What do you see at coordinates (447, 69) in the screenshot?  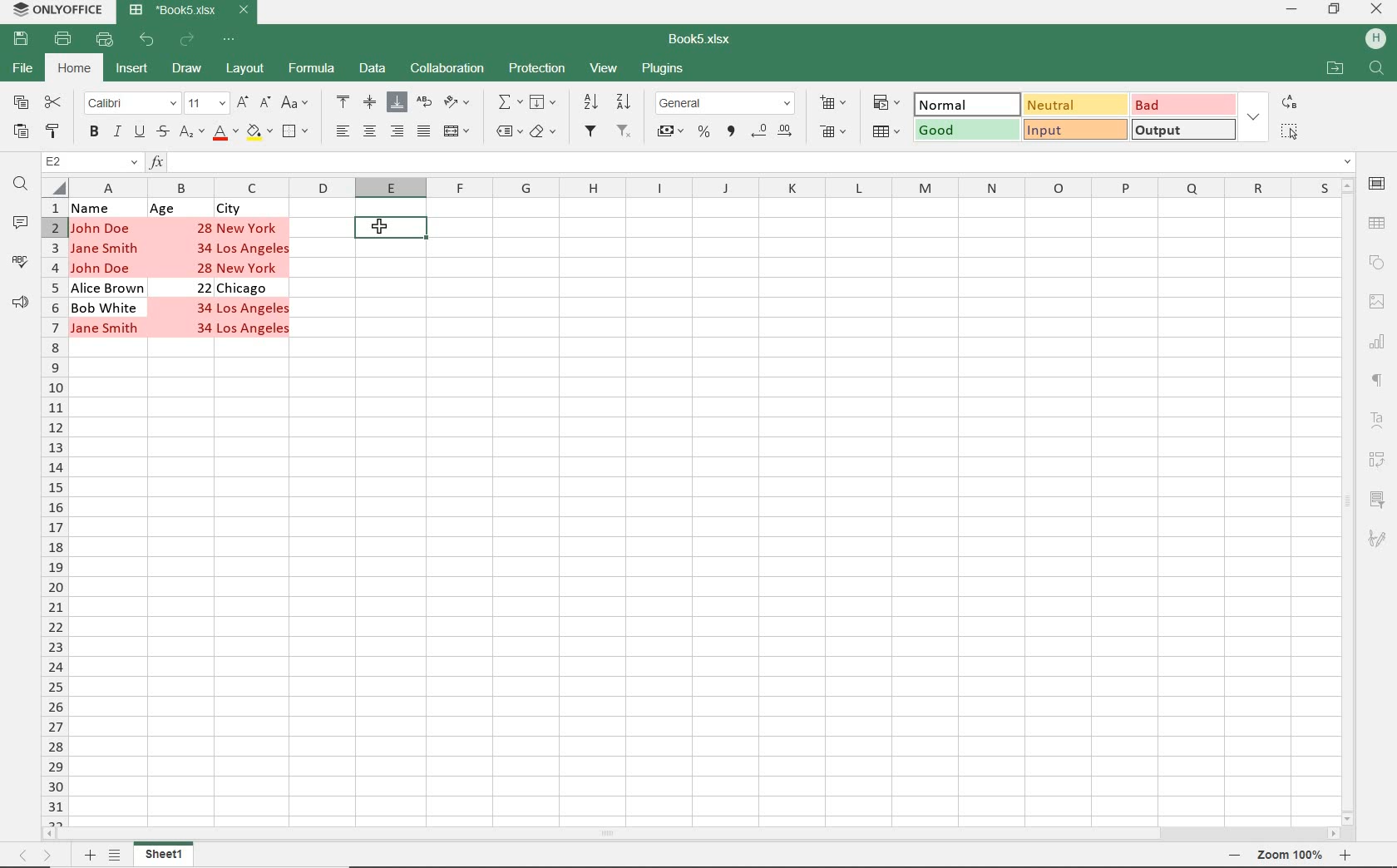 I see `COLLABORATION` at bounding box center [447, 69].